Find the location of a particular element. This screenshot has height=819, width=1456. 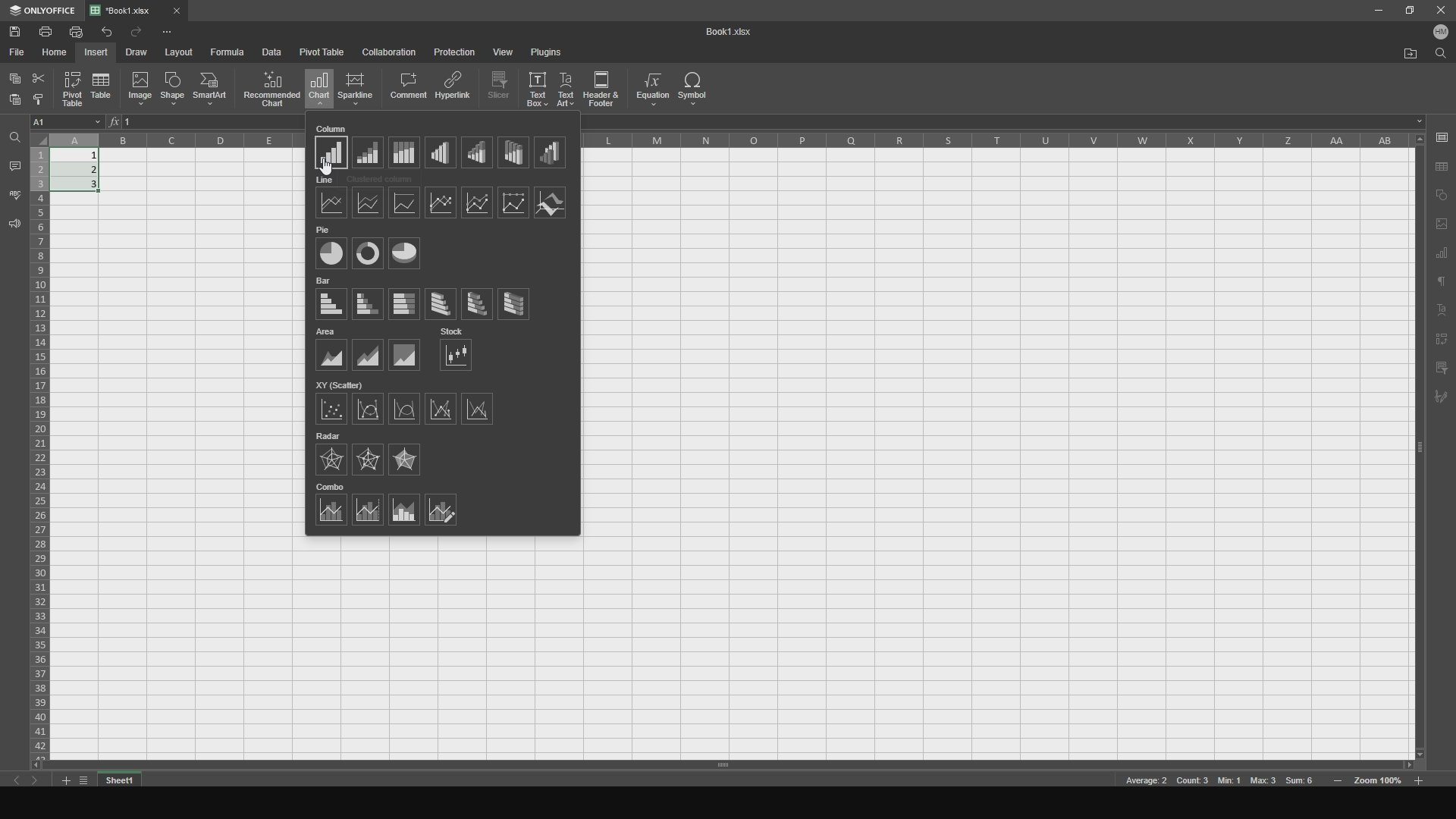

print is located at coordinates (49, 32).